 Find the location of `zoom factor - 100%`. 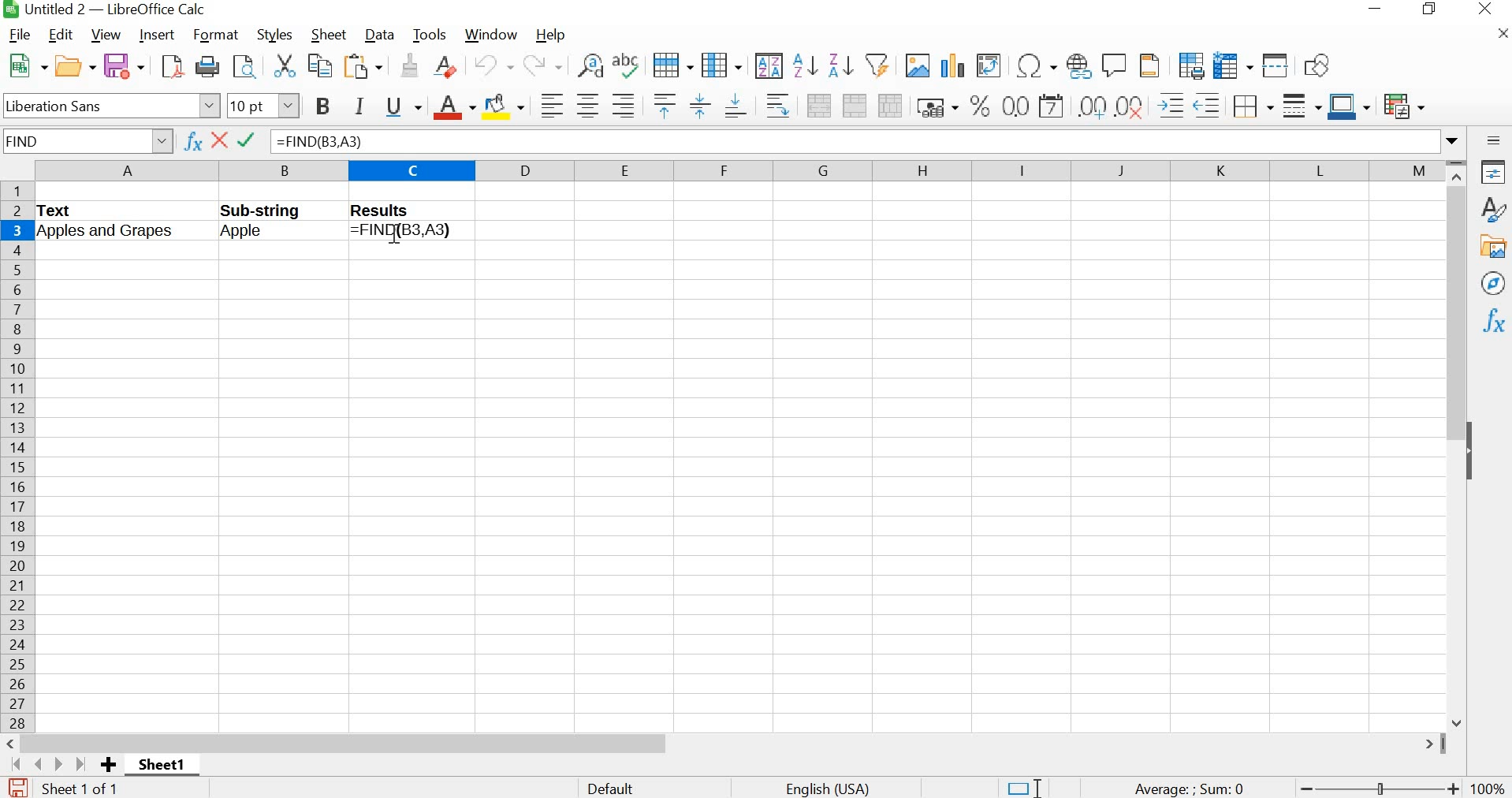

zoom factor - 100% is located at coordinates (1489, 789).